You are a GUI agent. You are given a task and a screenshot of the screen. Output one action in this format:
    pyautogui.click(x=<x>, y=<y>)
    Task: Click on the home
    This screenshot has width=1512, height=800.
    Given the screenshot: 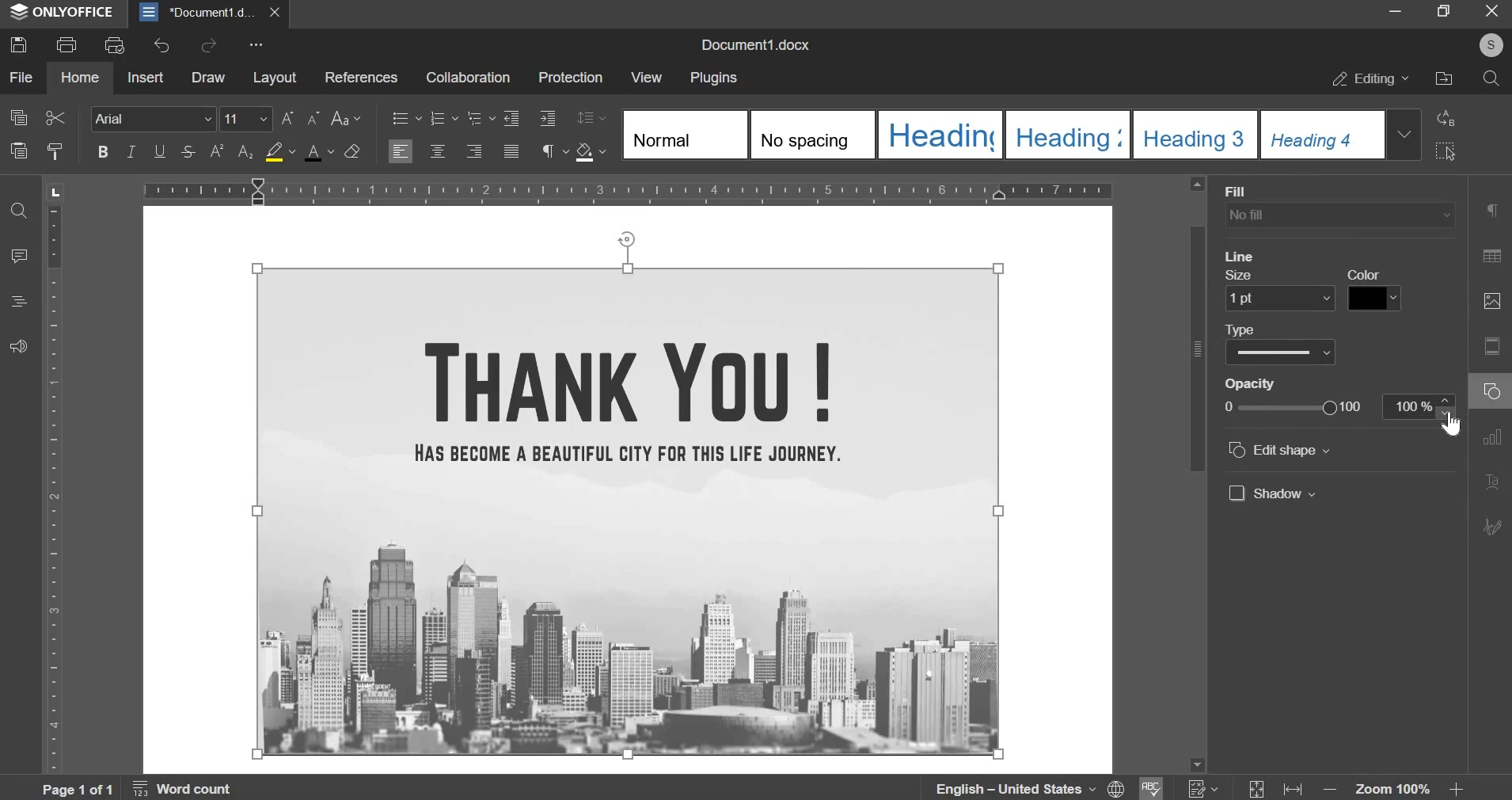 What is the action you would take?
    pyautogui.click(x=79, y=76)
    